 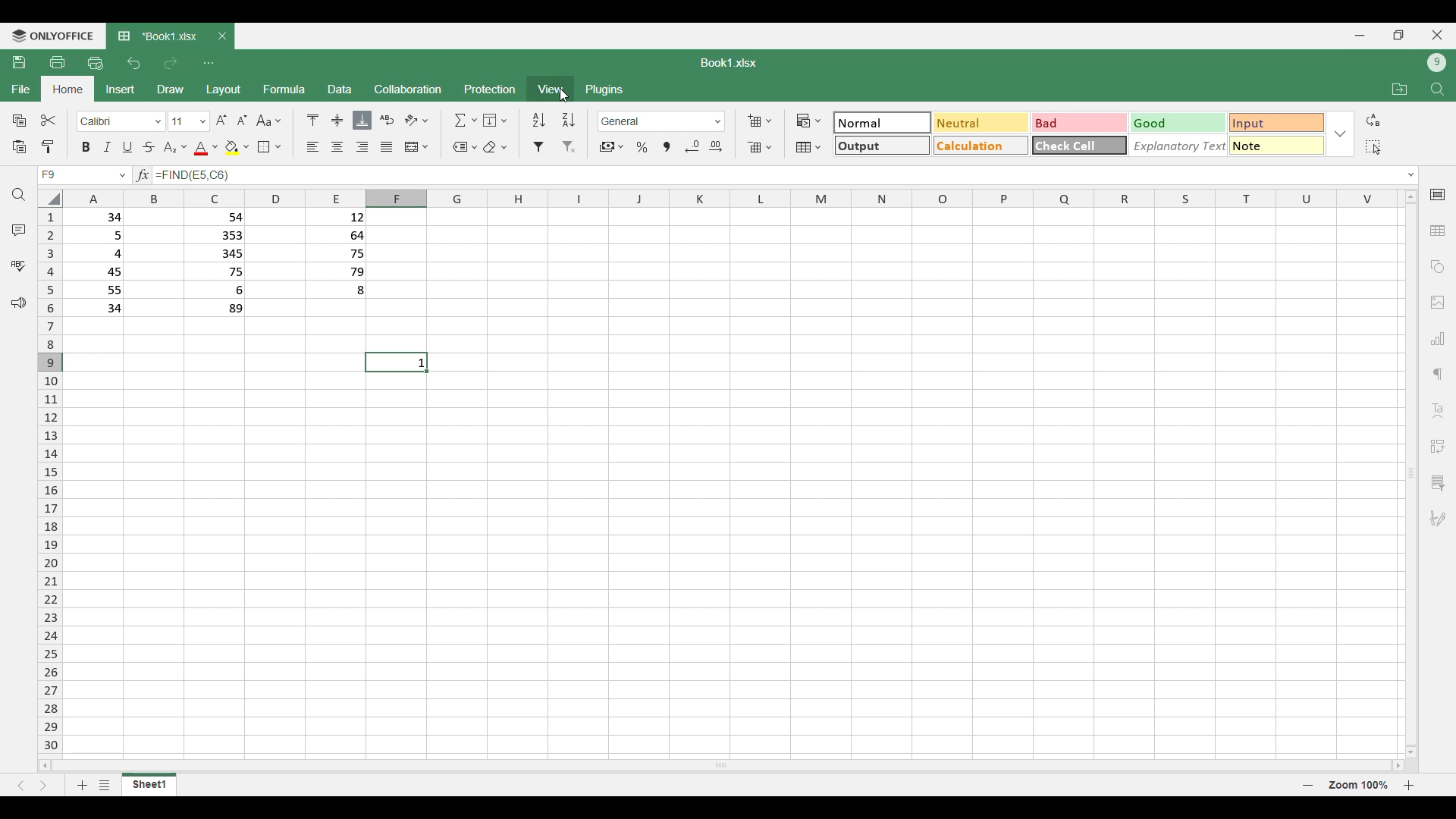 What do you see at coordinates (397, 361) in the screenshot?
I see `current cell : 1` at bounding box center [397, 361].